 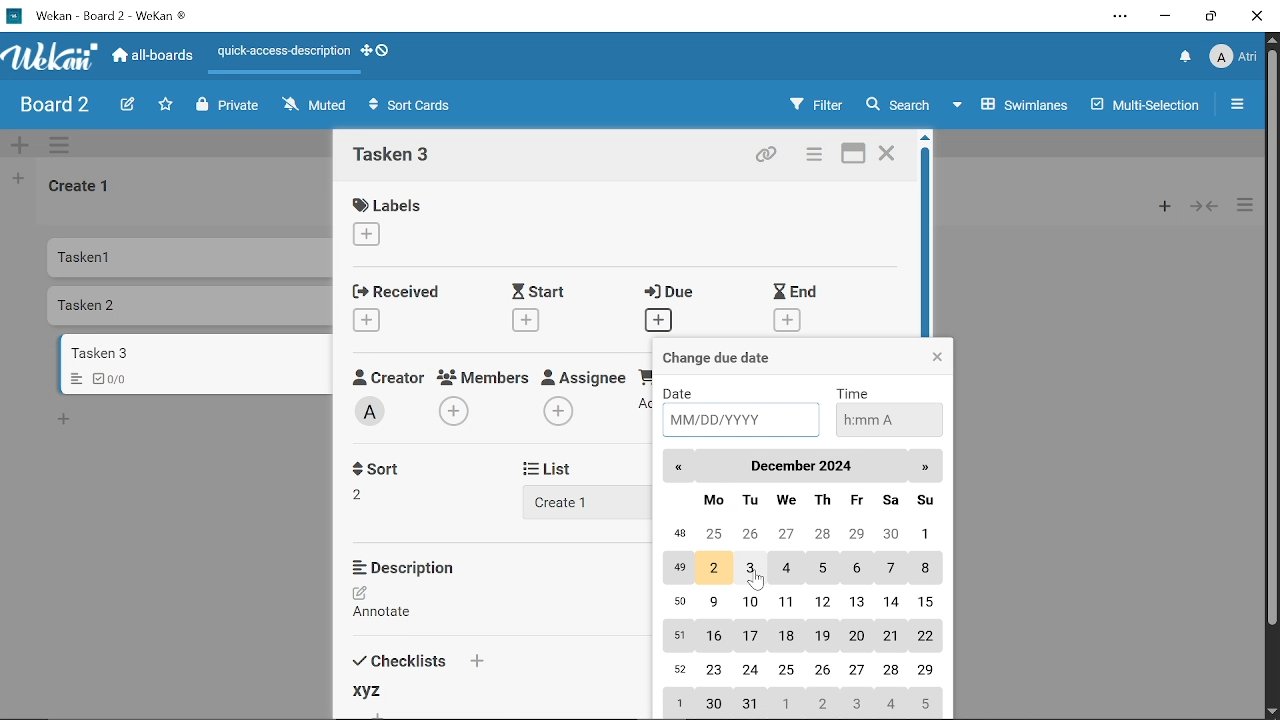 What do you see at coordinates (369, 493) in the screenshot?
I see `Sort` at bounding box center [369, 493].